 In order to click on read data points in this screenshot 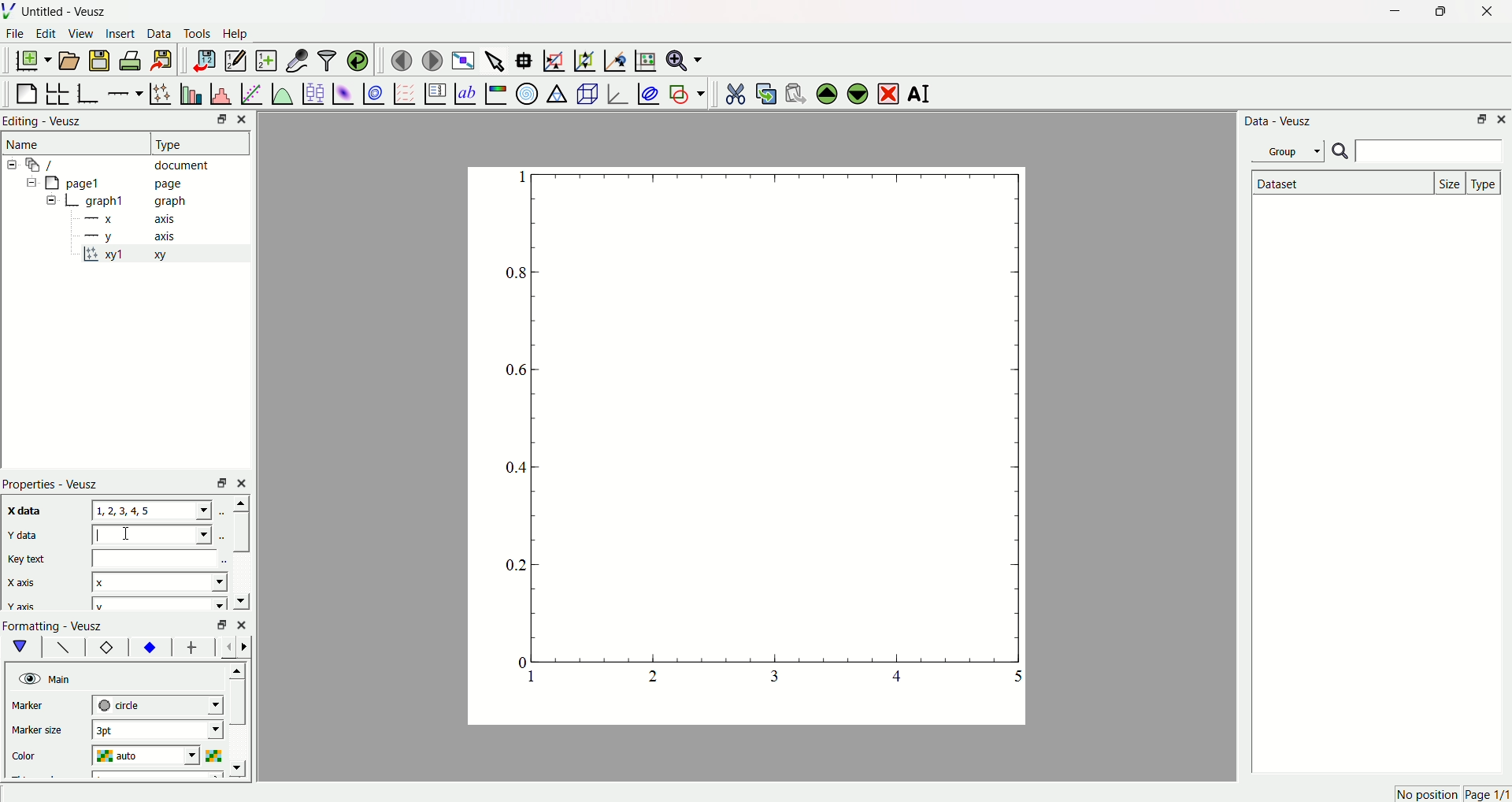, I will do `click(527, 58)`.